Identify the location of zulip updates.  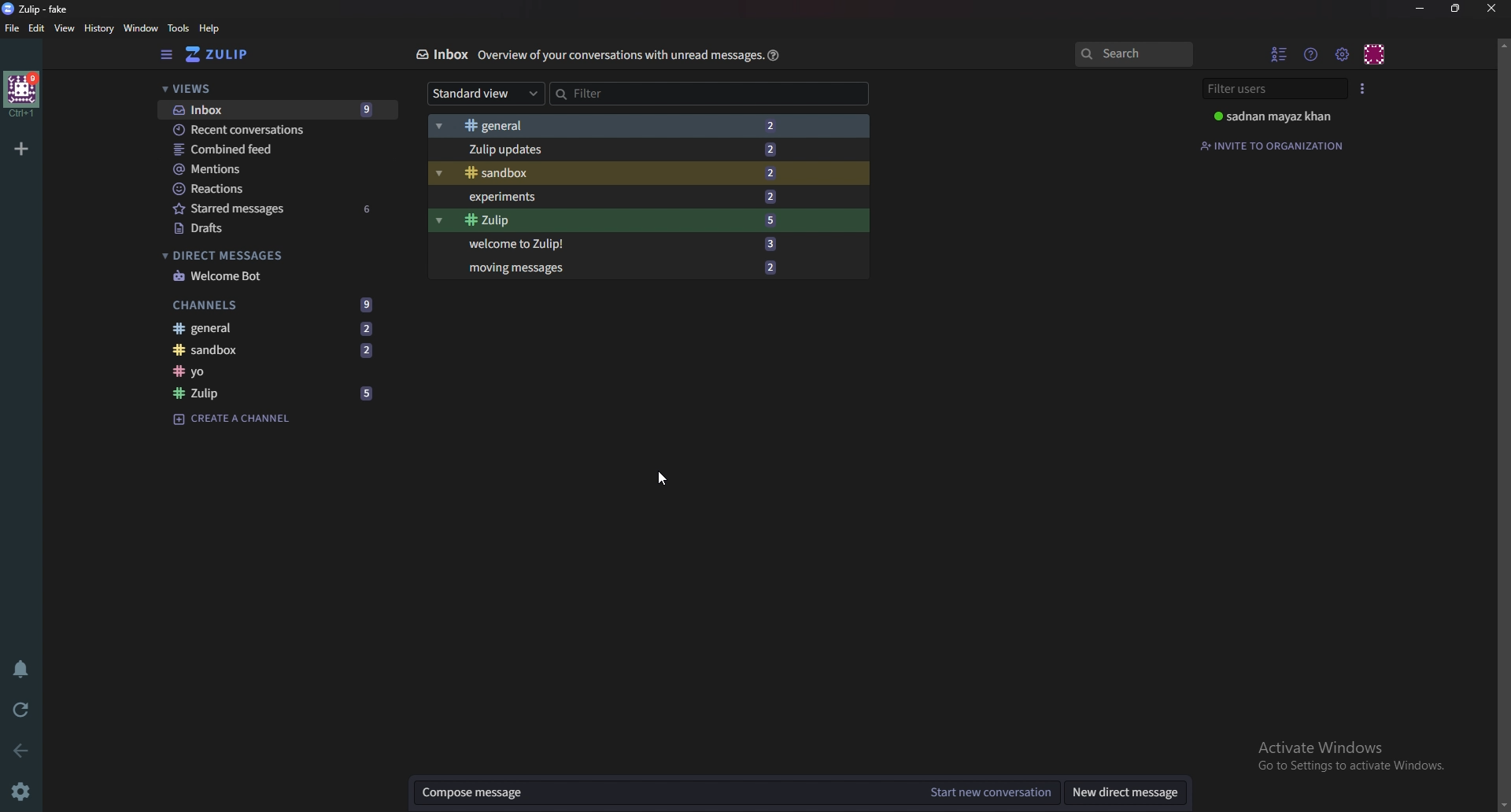
(615, 150).